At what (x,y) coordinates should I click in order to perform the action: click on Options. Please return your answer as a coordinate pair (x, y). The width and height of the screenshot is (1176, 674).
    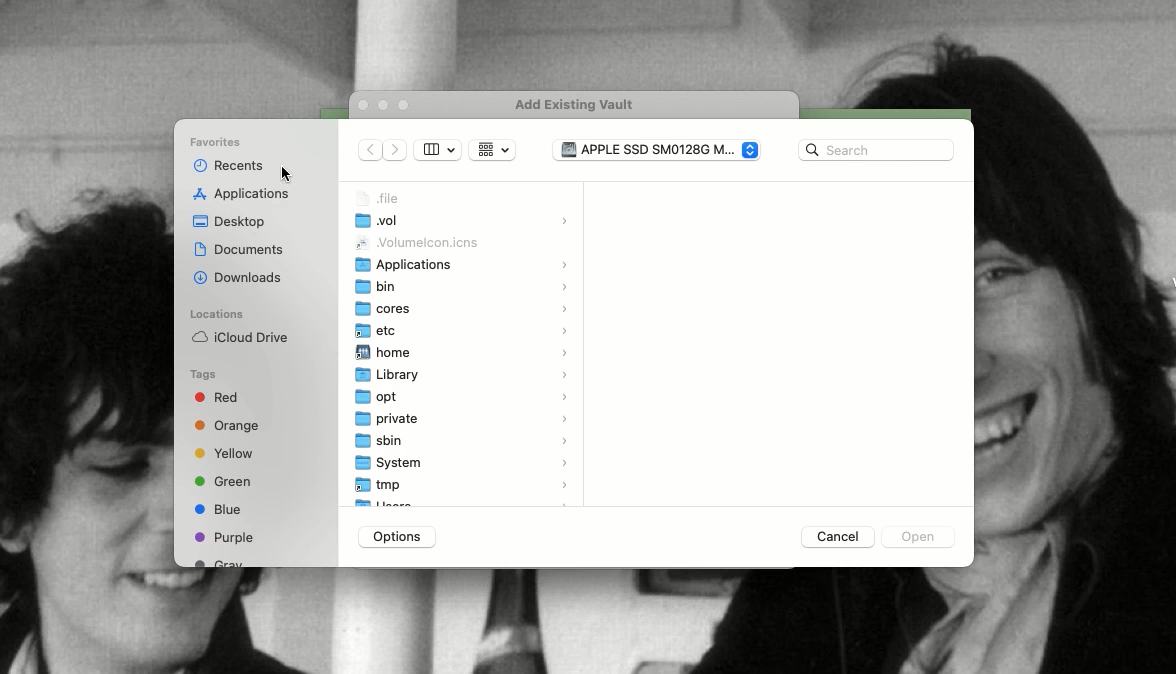
    Looking at the image, I should click on (398, 537).